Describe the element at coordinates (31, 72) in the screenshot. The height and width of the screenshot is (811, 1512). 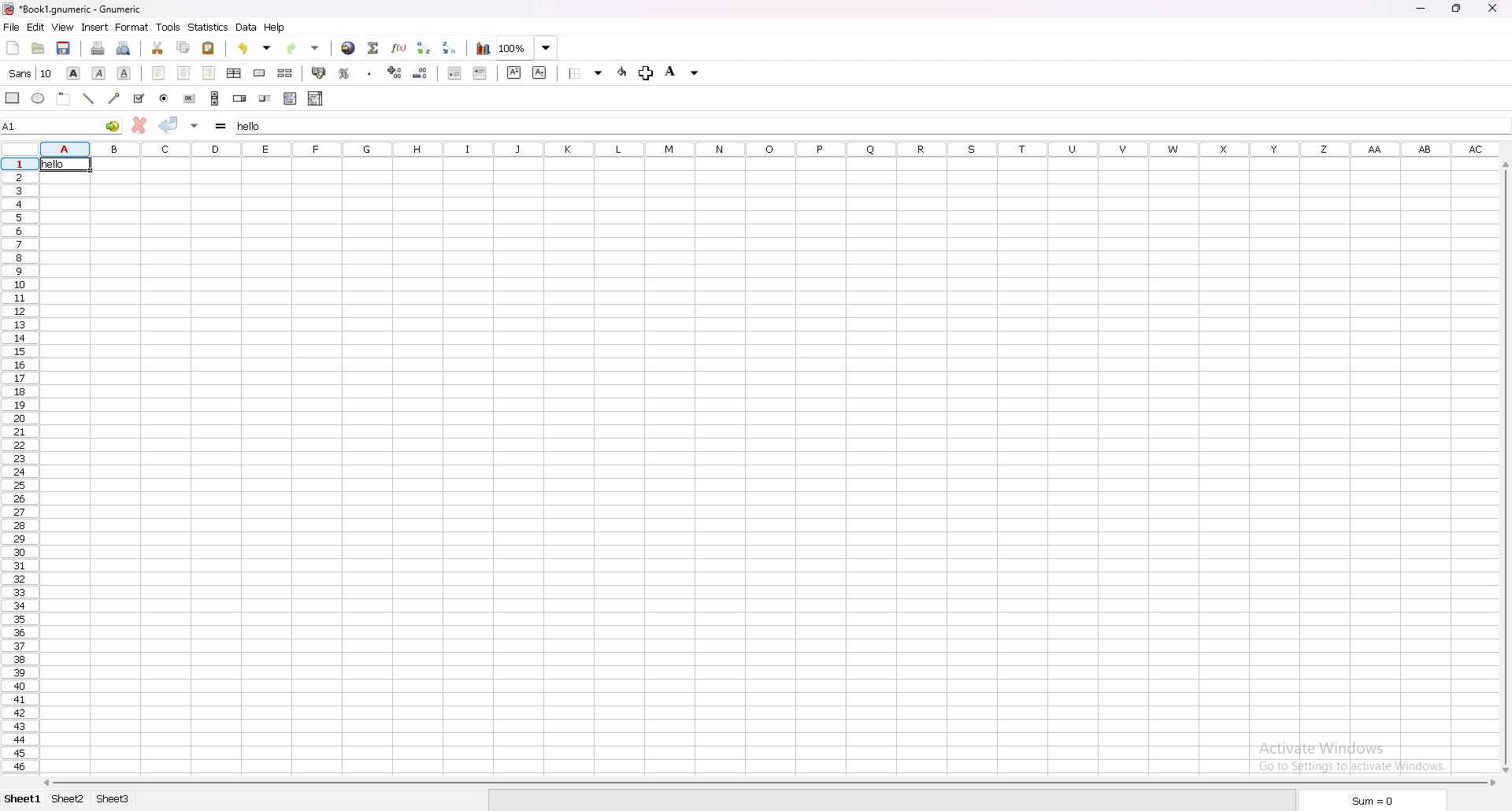
I see `font` at that location.